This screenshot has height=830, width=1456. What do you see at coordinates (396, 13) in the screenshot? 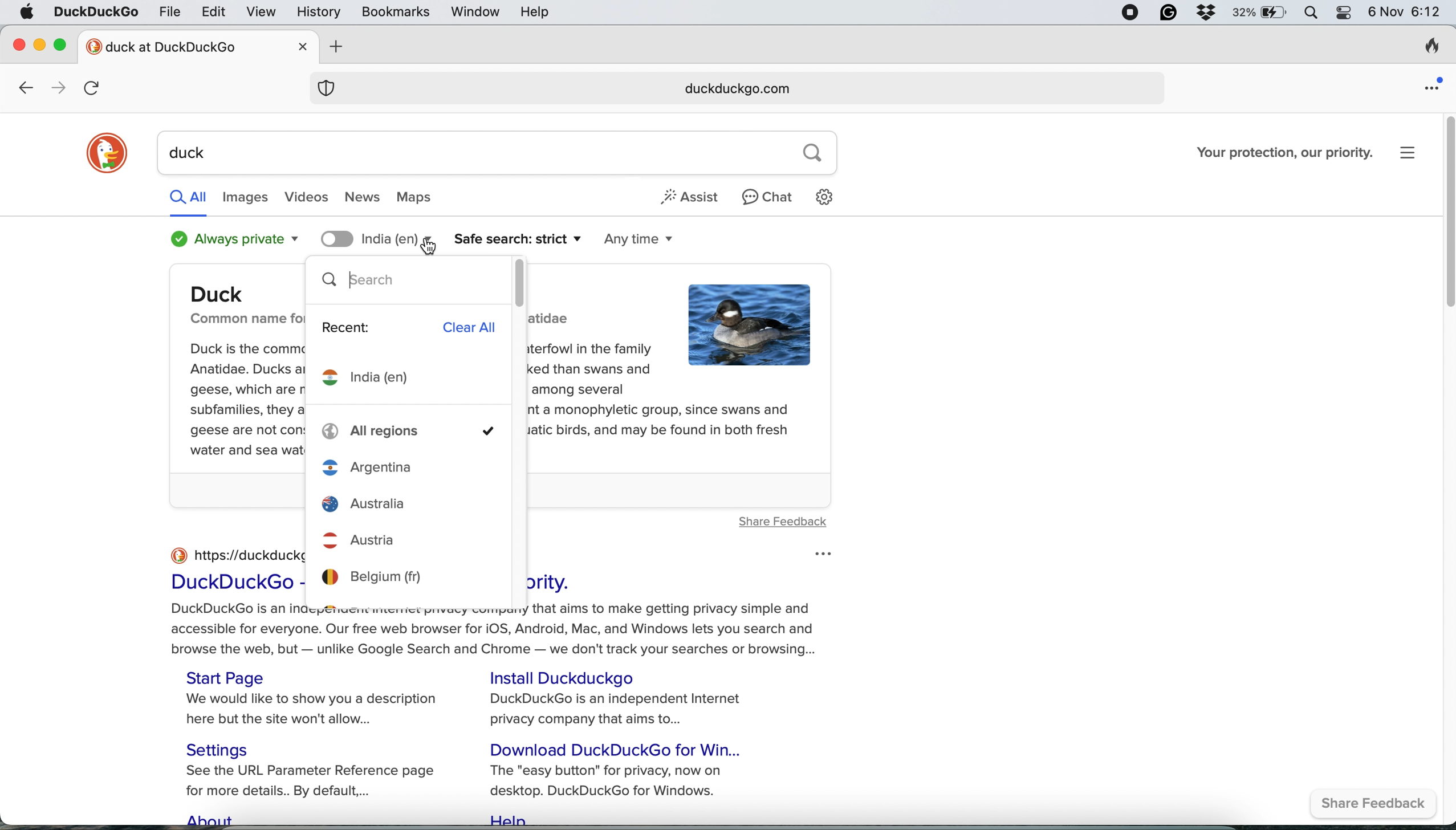
I see `bookmarks` at bounding box center [396, 13].